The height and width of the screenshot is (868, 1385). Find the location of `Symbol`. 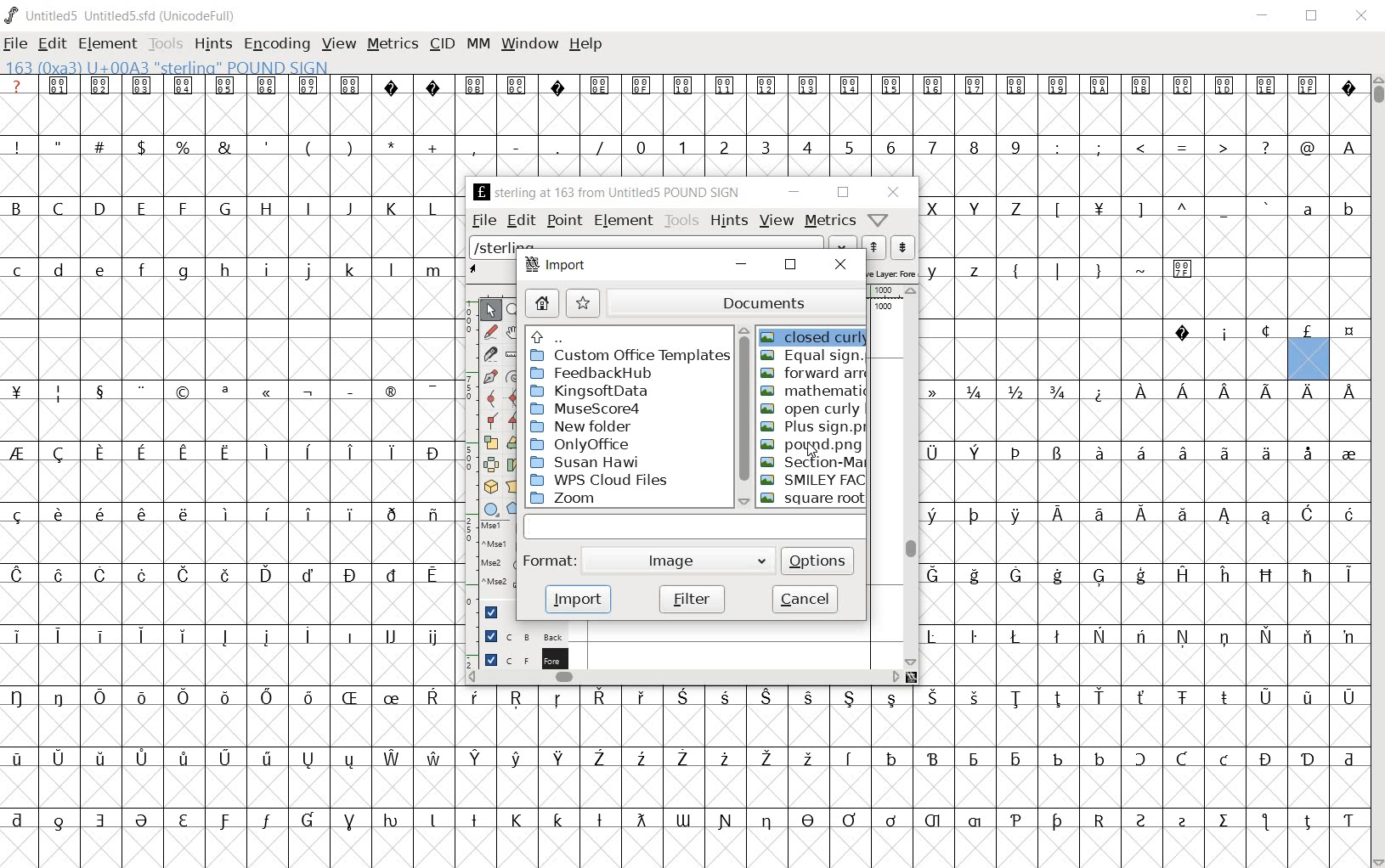

Symbol is located at coordinates (1225, 822).